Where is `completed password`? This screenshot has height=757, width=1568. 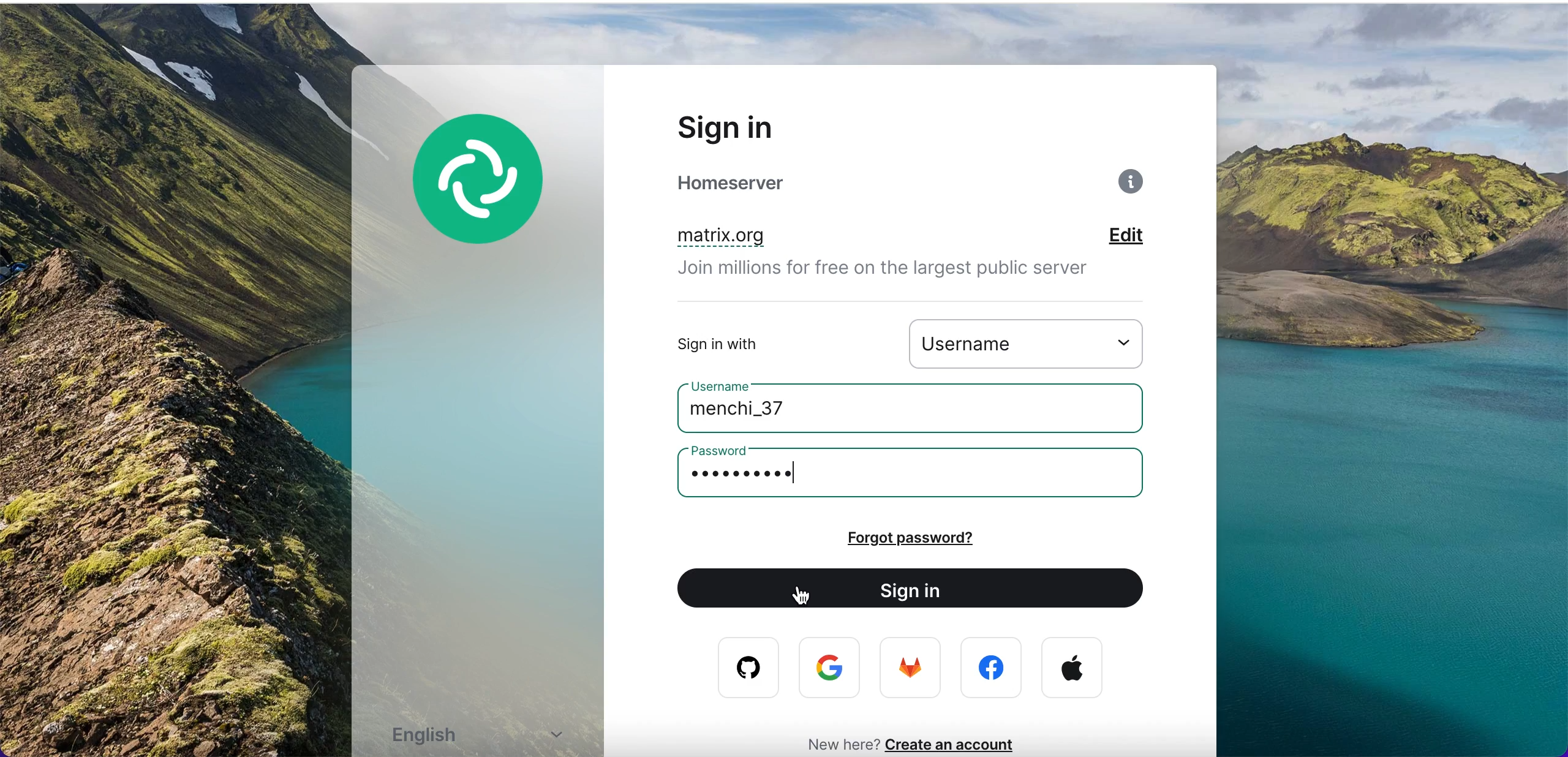 completed password is located at coordinates (756, 475).